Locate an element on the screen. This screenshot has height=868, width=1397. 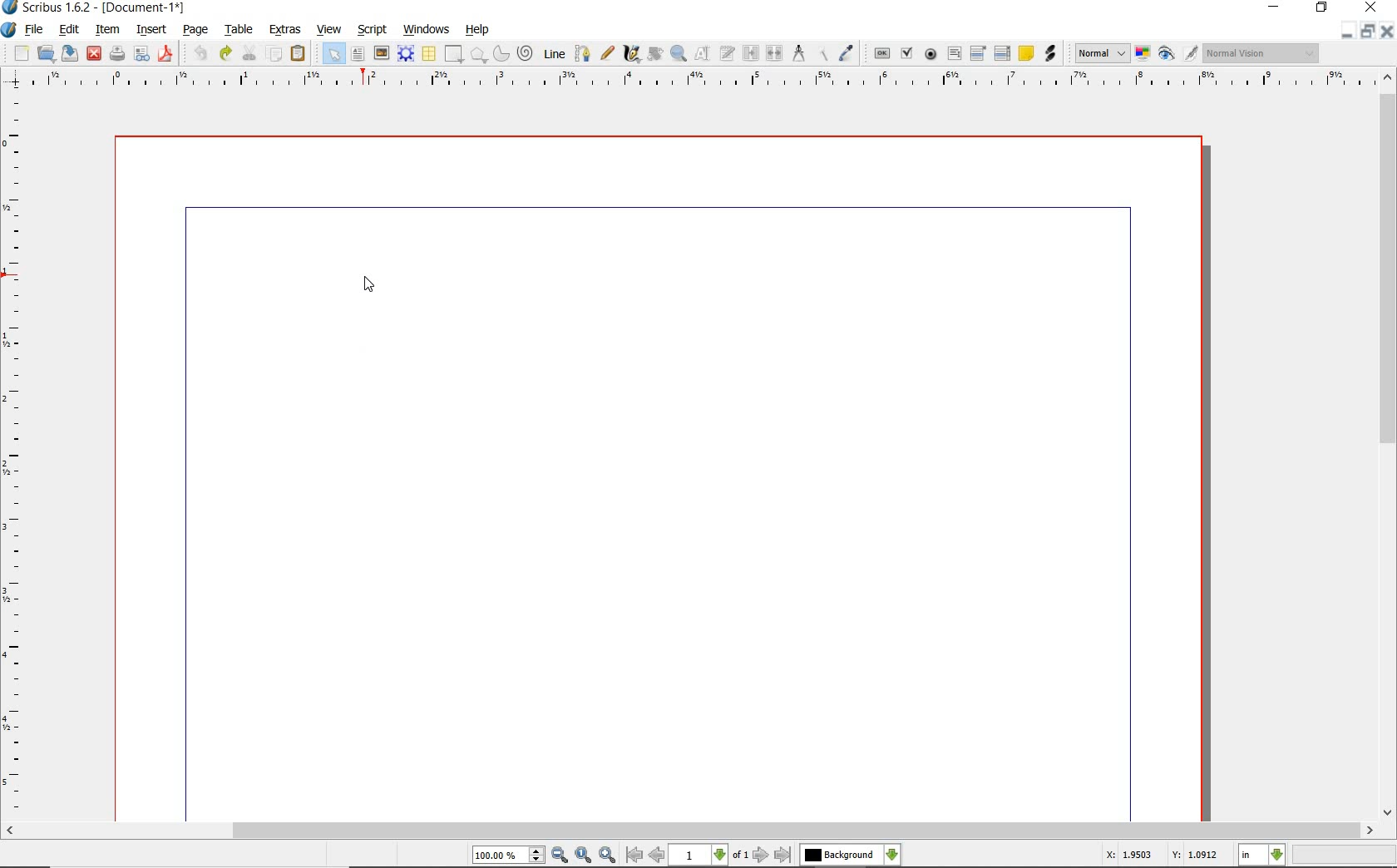
toggle color management system is located at coordinates (1144, 55).